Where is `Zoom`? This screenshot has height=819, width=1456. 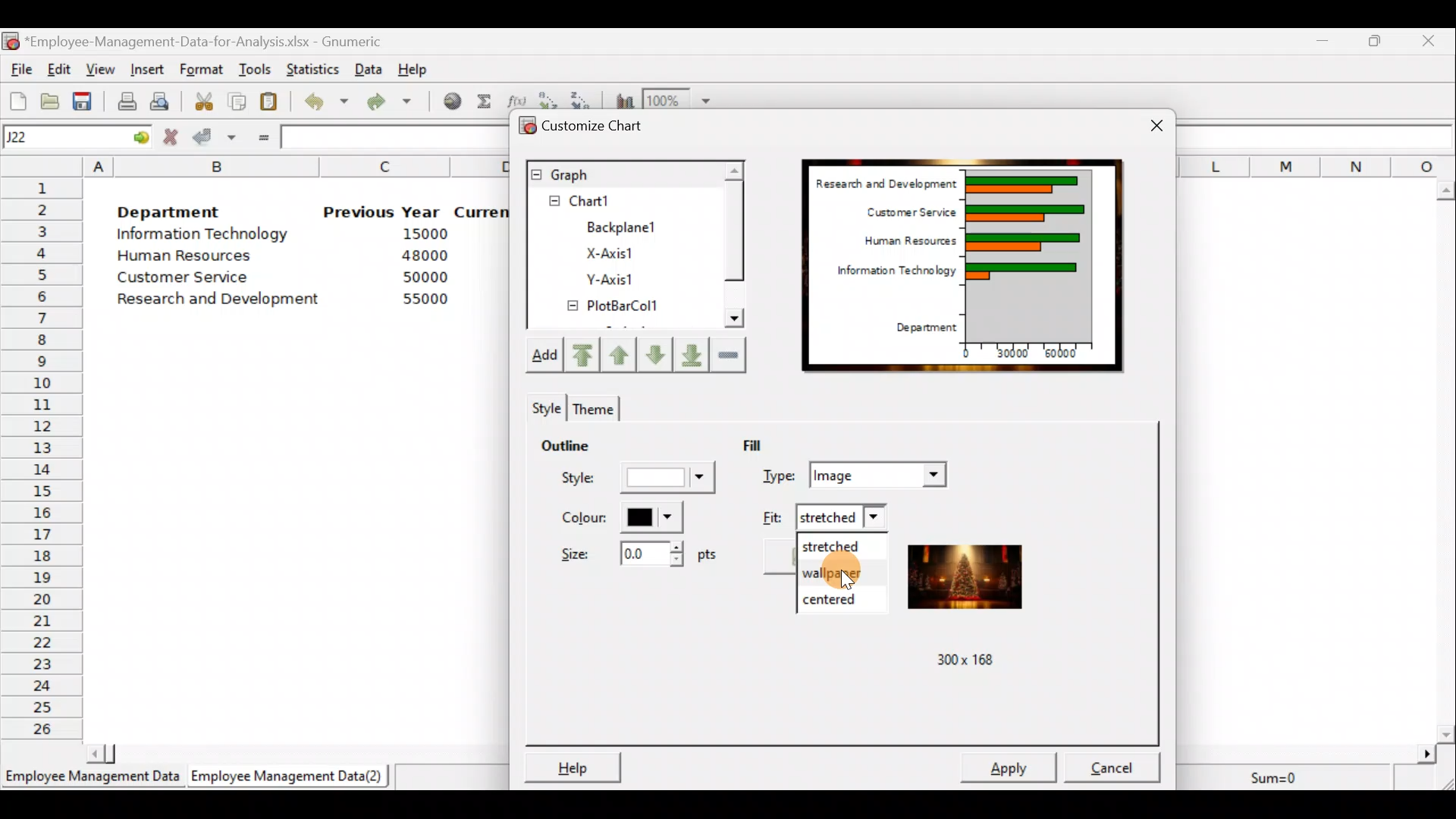
Zoom is located at coordinates (679, 99).